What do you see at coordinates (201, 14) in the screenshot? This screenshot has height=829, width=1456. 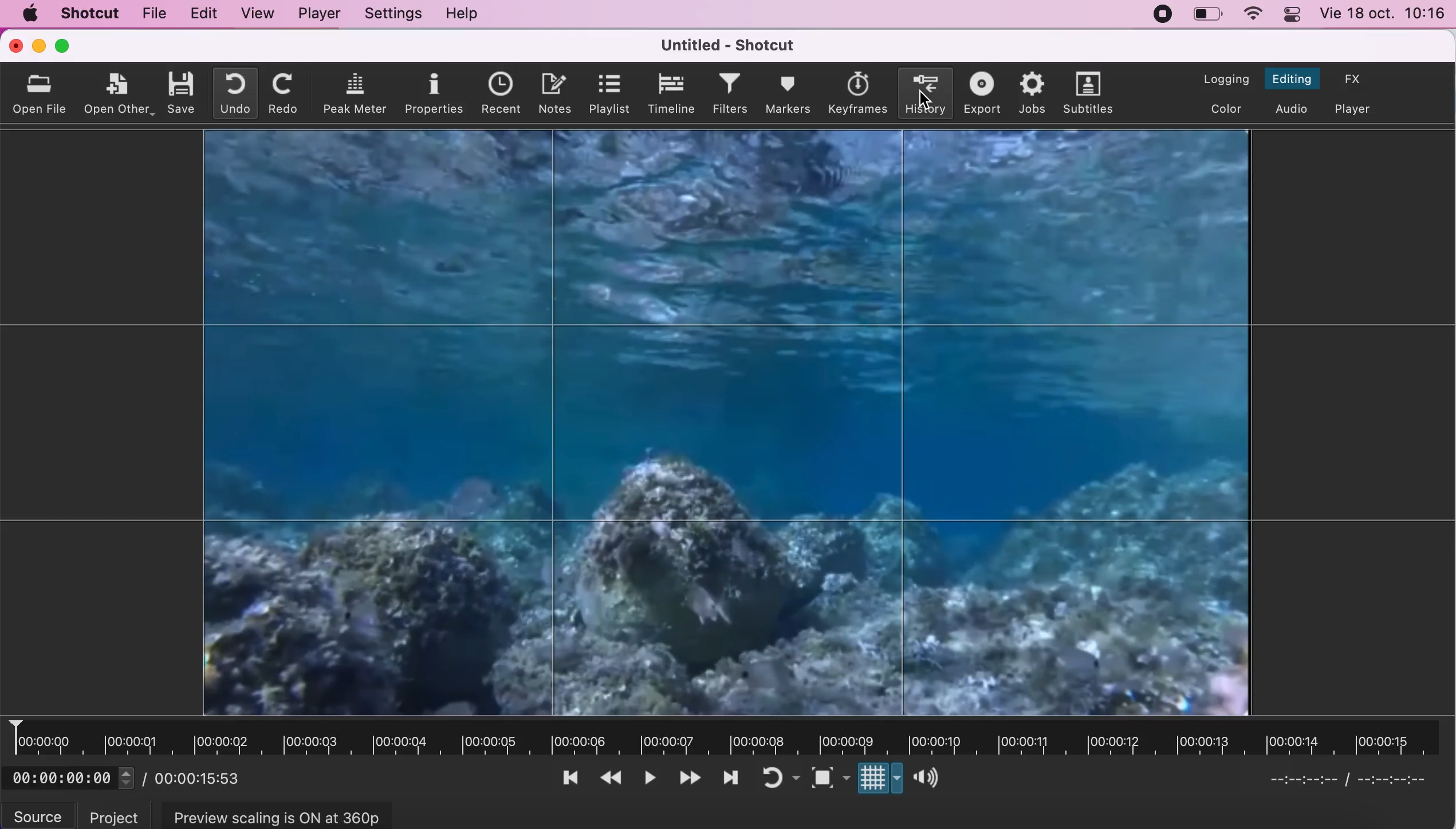 I see `edit` at bounding box center [201, 14].